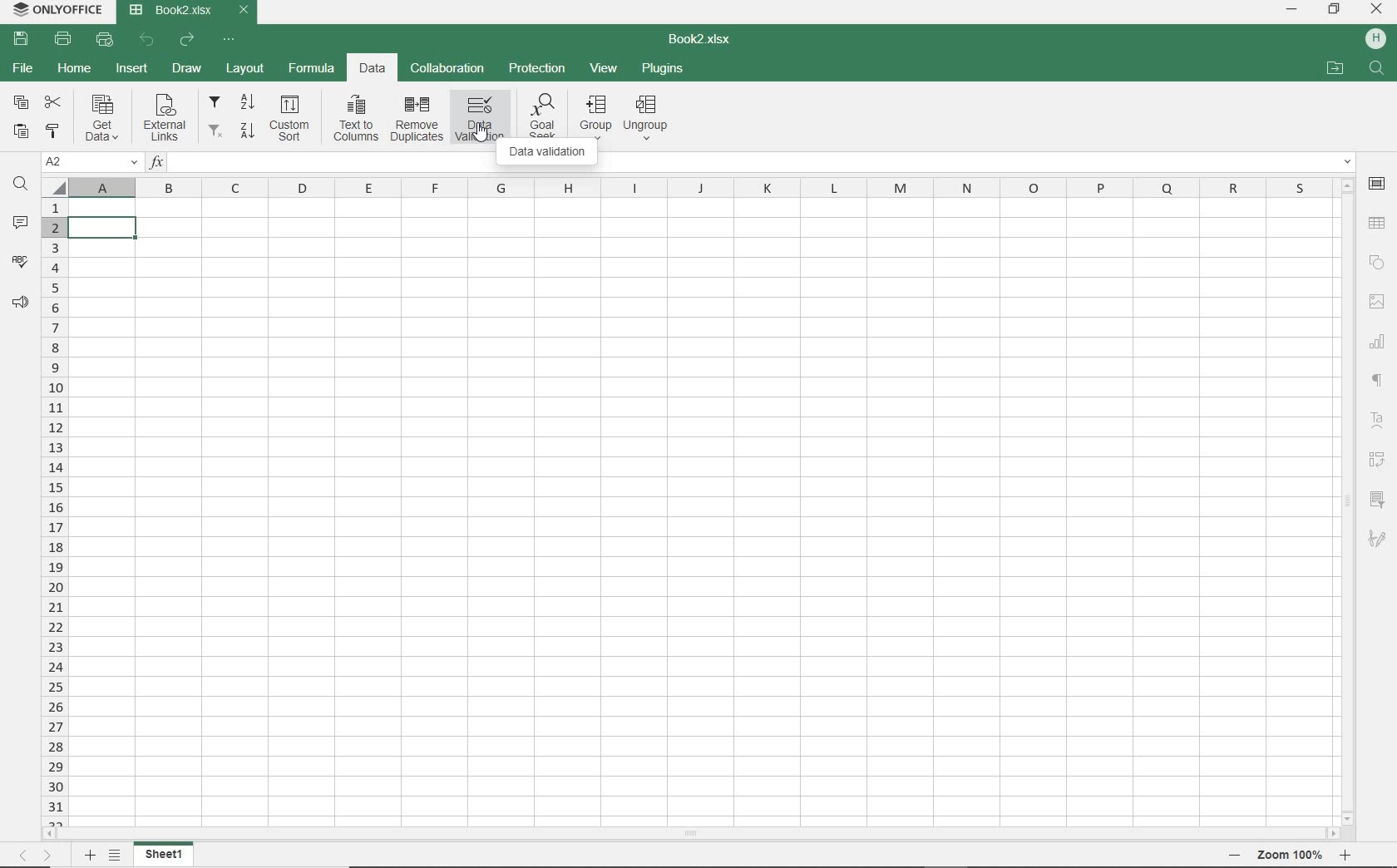  Describe the element at coordinates (217, 133) in the screenshot. I see `remove filters` at that location.